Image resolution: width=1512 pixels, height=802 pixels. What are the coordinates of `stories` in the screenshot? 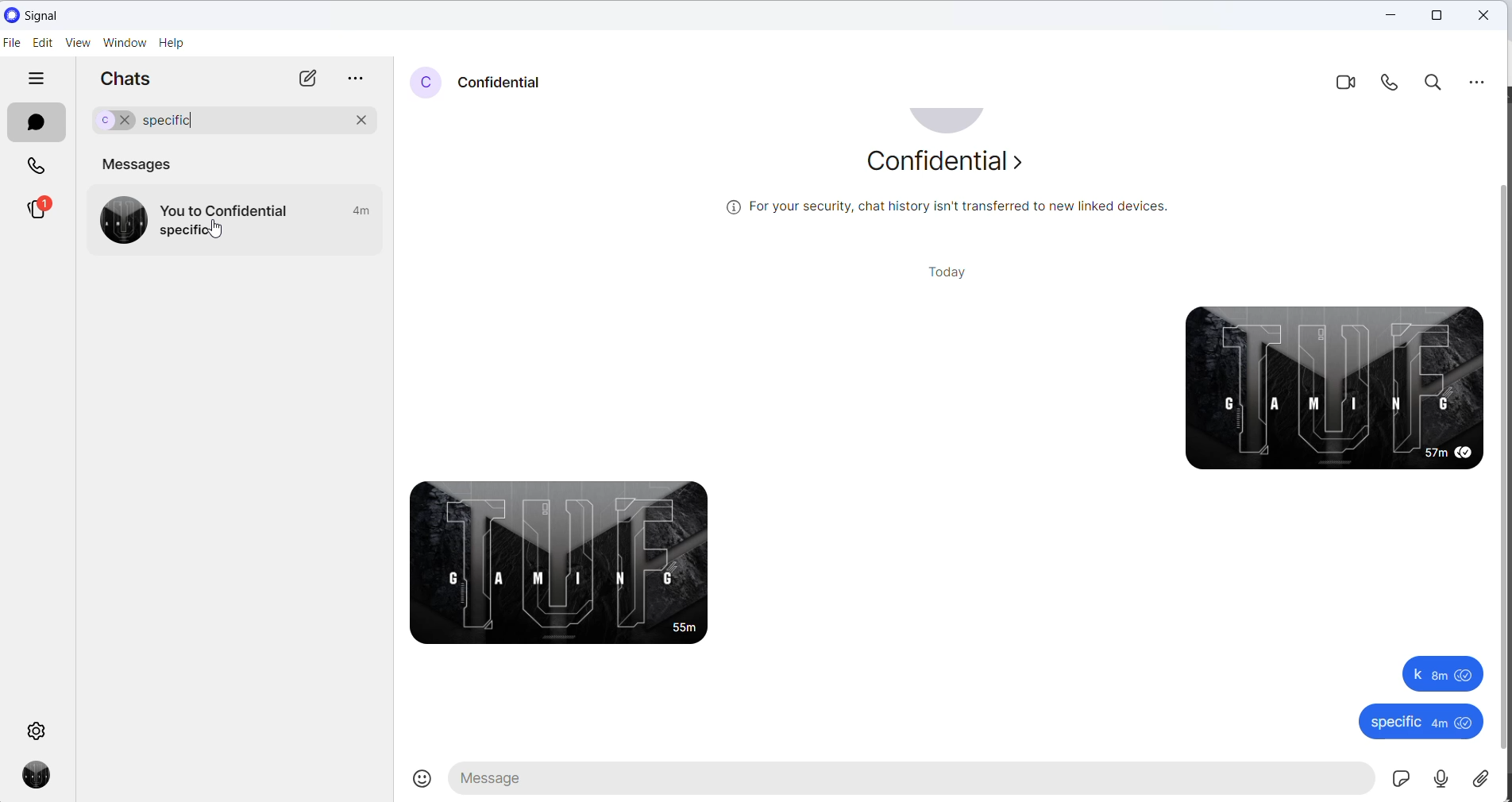 It's located at (39, 210).